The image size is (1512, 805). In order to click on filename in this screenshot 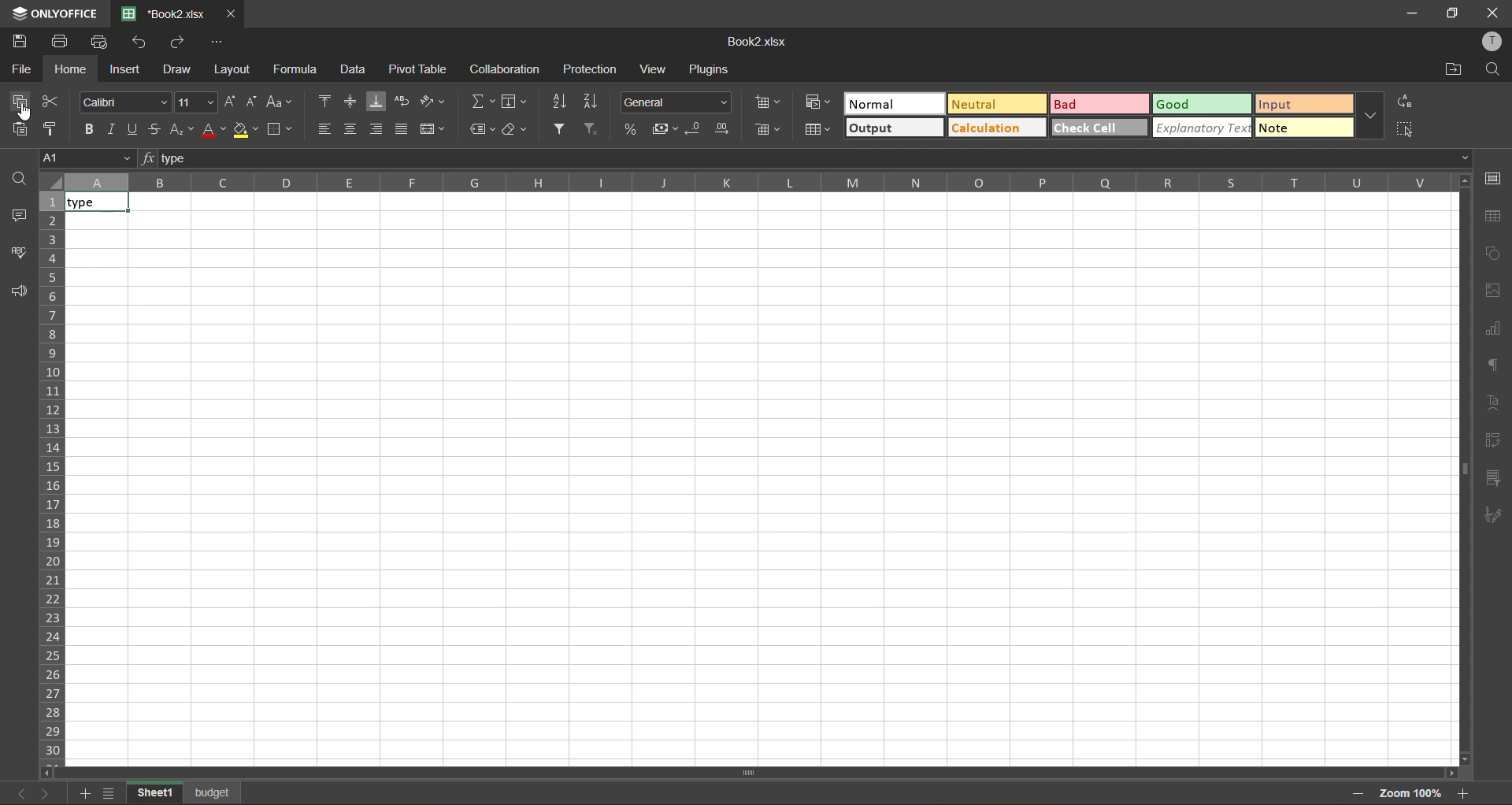, I will do `click(161, 14)`.